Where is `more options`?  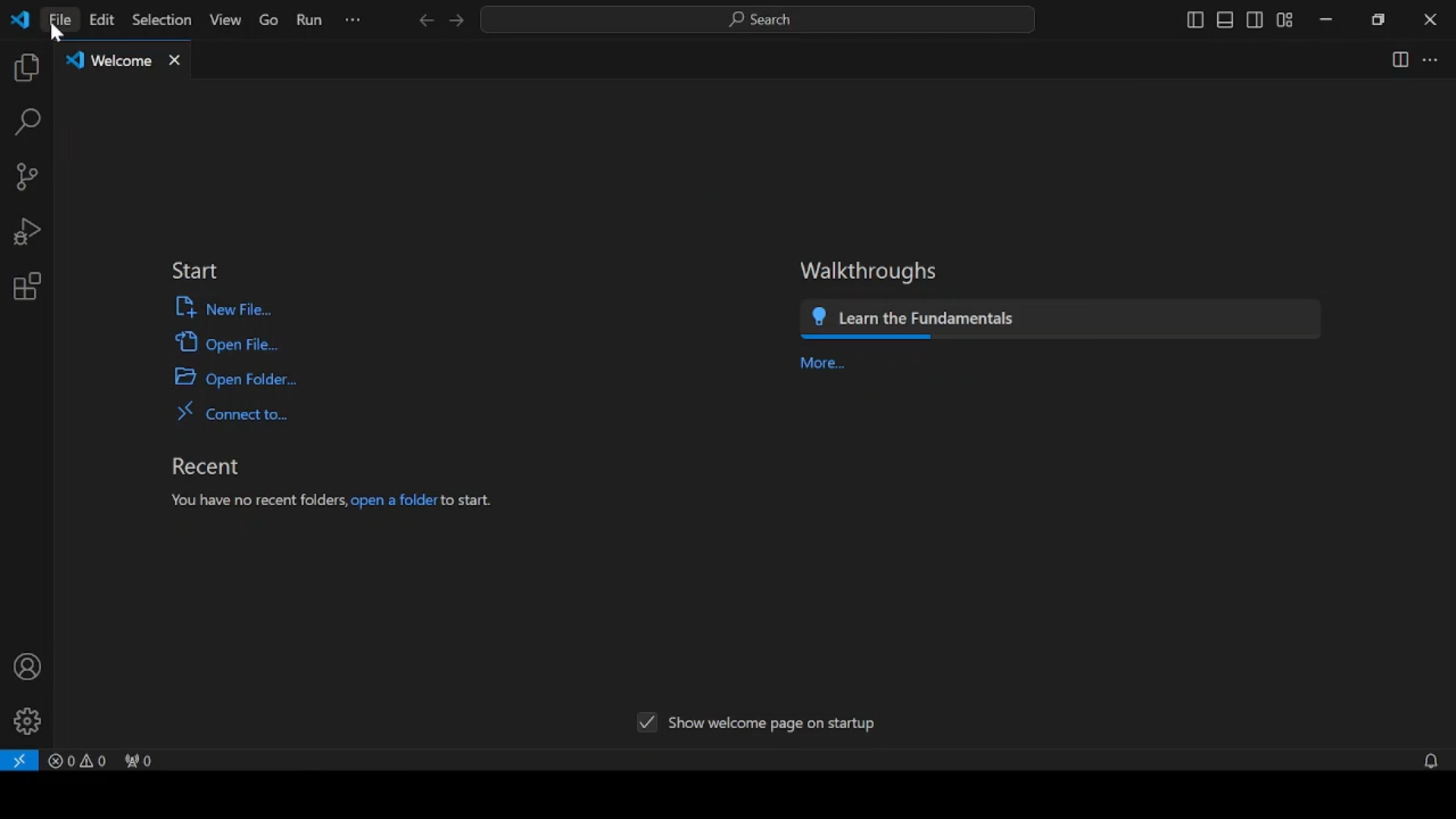
more options is located at coordinates (355, 20).